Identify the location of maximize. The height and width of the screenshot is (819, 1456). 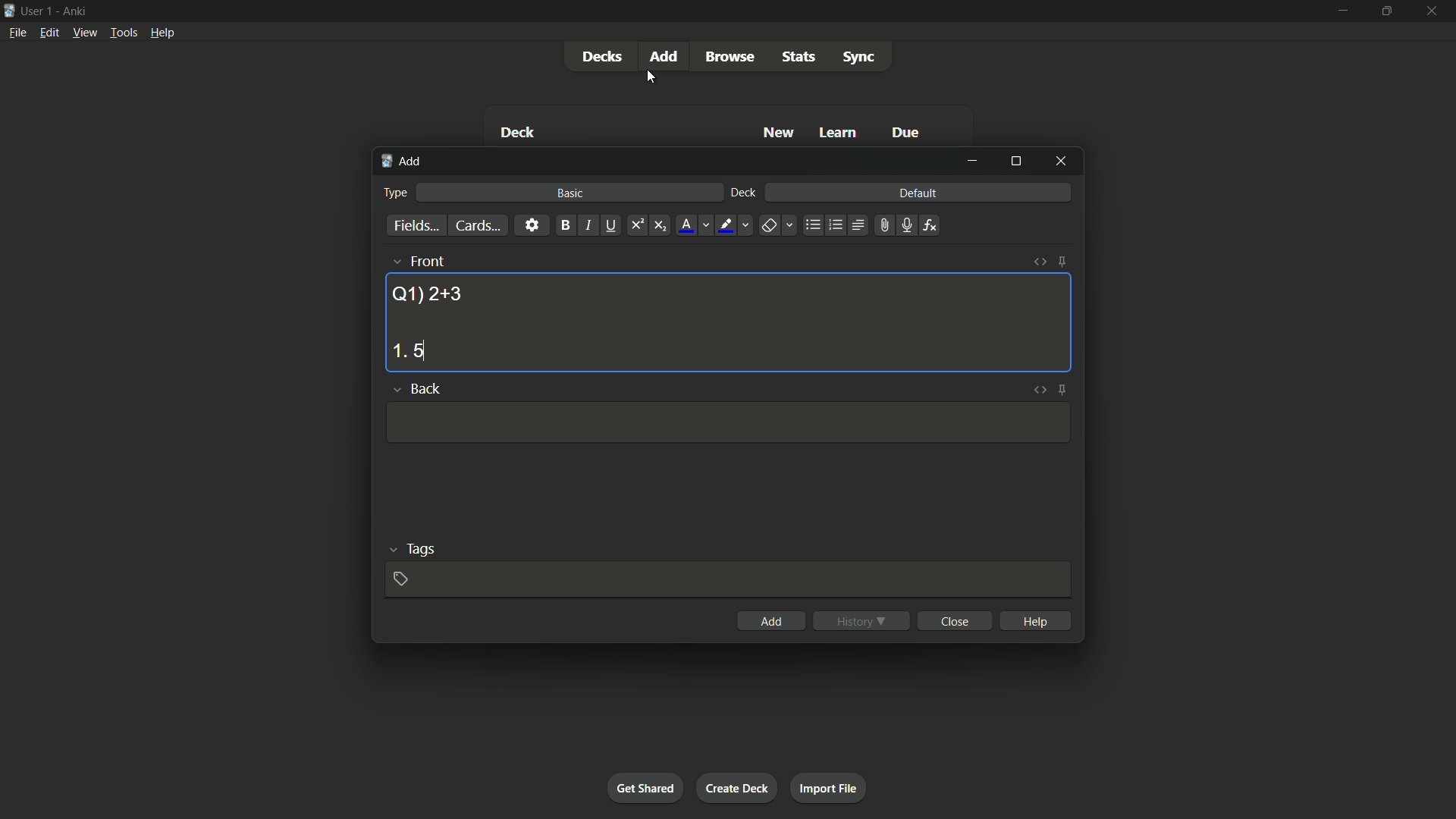
(1015, 161).